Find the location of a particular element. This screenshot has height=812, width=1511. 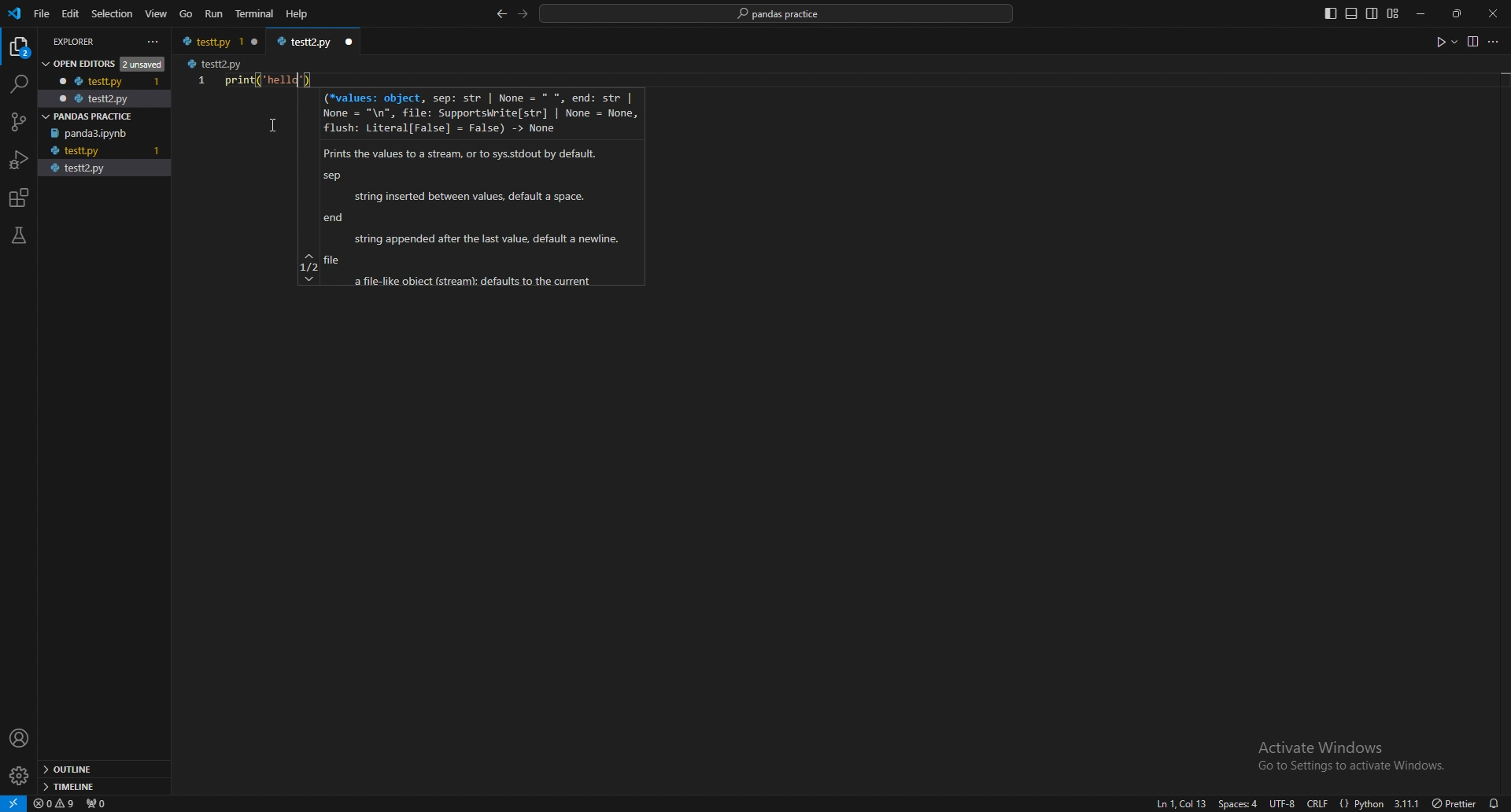

toggle secondary side bar is located at coordinates (1372, 13).